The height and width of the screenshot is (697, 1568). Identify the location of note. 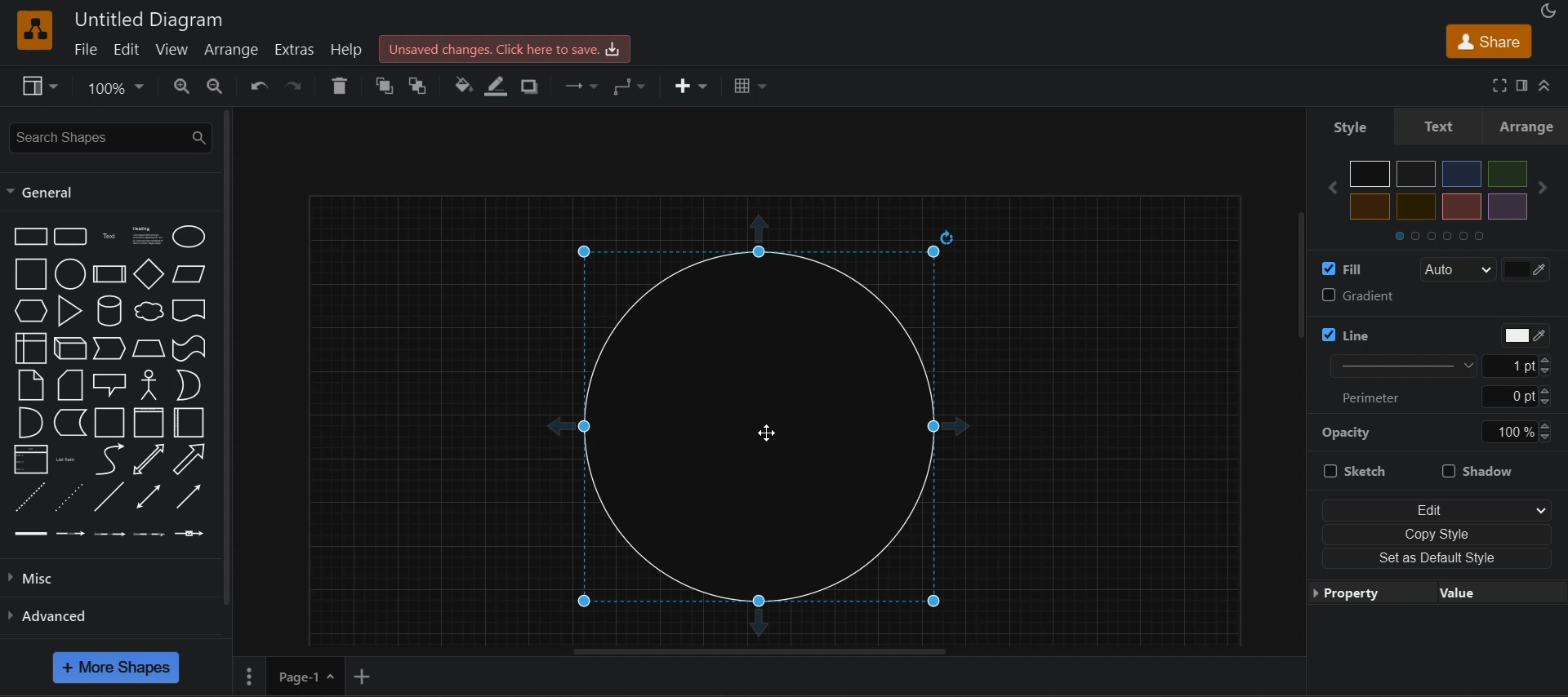
(30, 385).